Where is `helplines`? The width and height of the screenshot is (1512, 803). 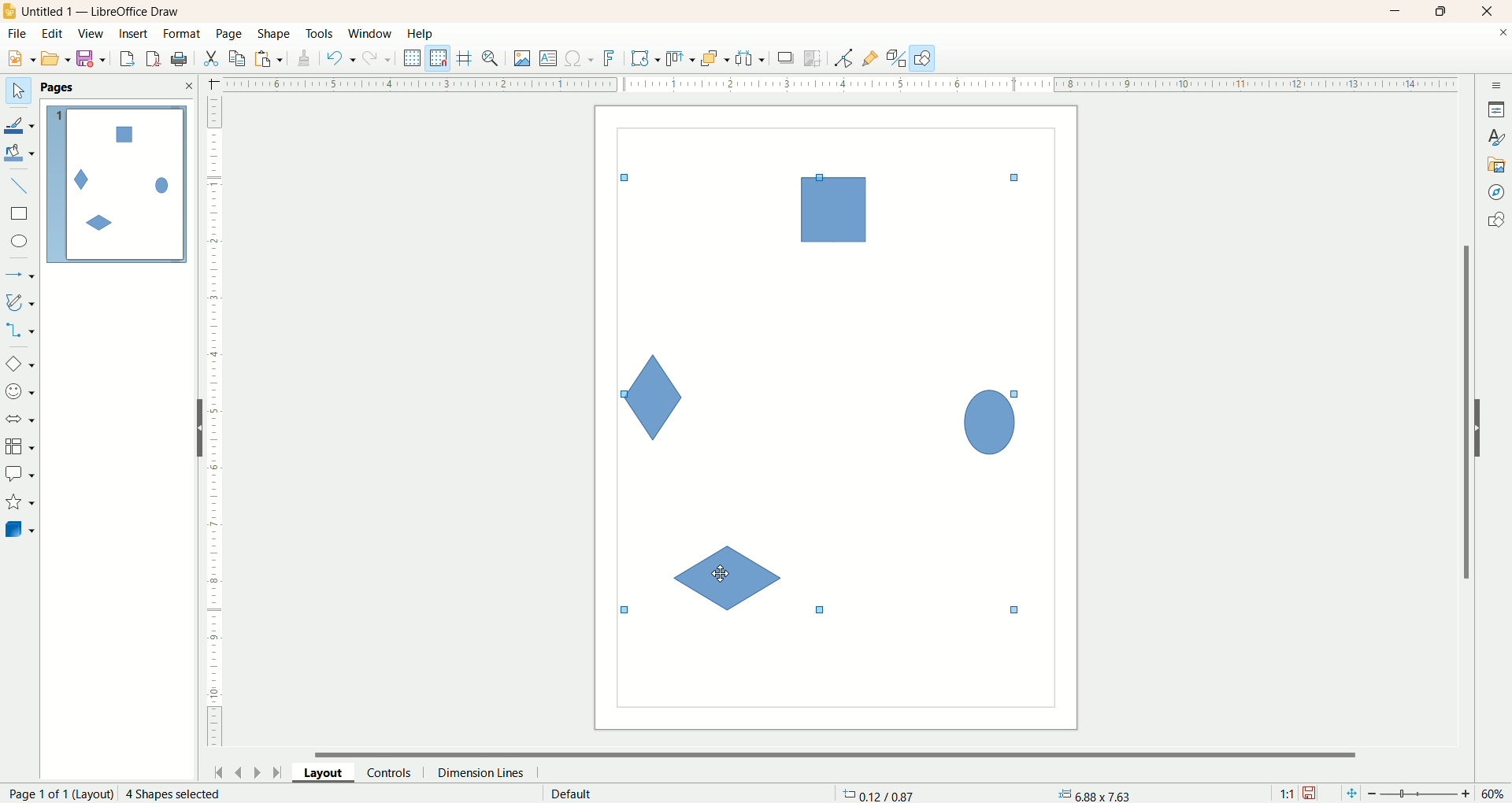 helplines is located at coordinates (467, 58).